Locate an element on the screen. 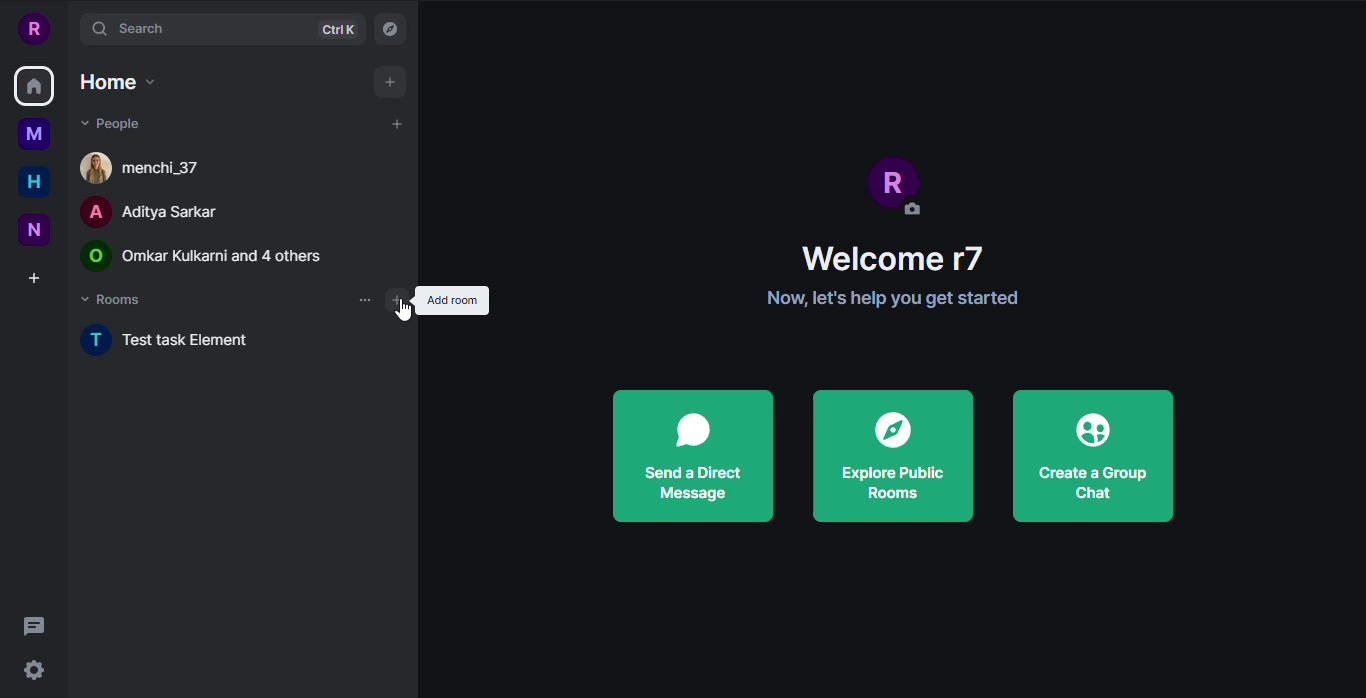  create a group chat is located at coordinates (1095, 453).